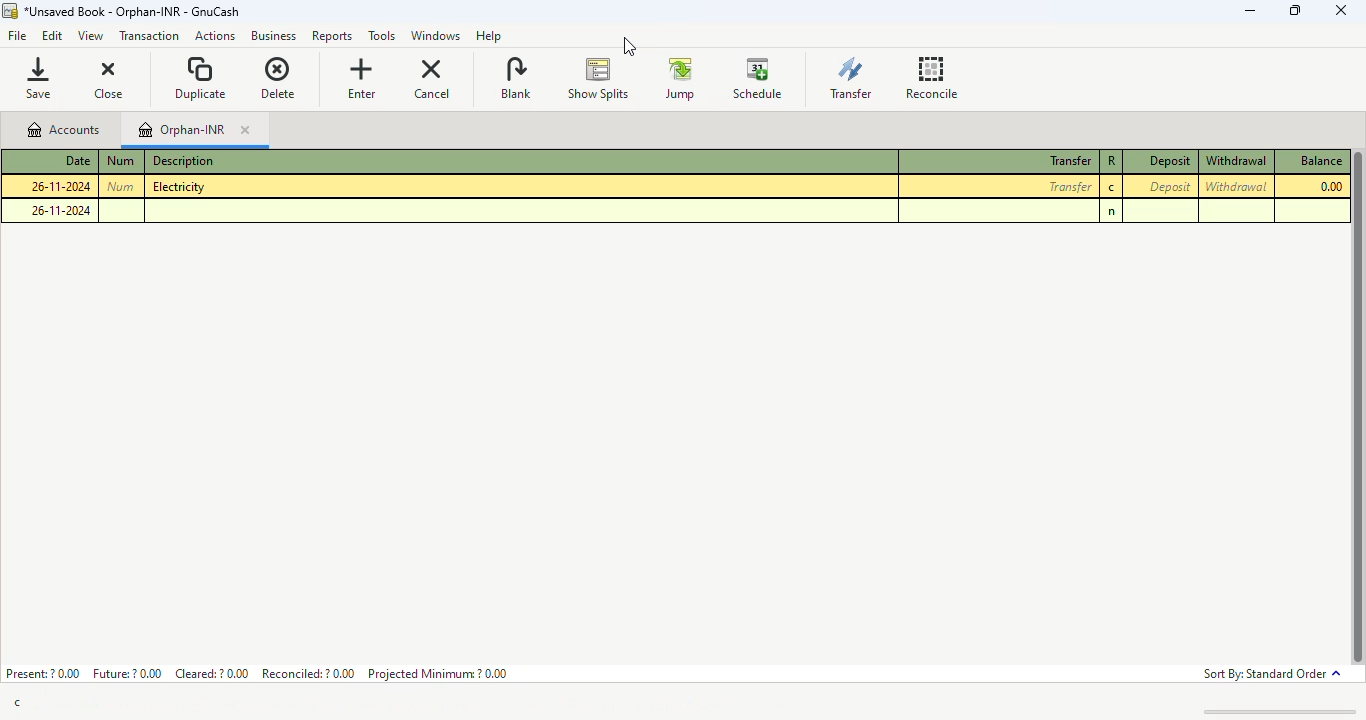 The width and height of the screenshot is (1366, 720). Describe the element at coordinates (851, 77) in the screenshot. I see `transfer` at that location.